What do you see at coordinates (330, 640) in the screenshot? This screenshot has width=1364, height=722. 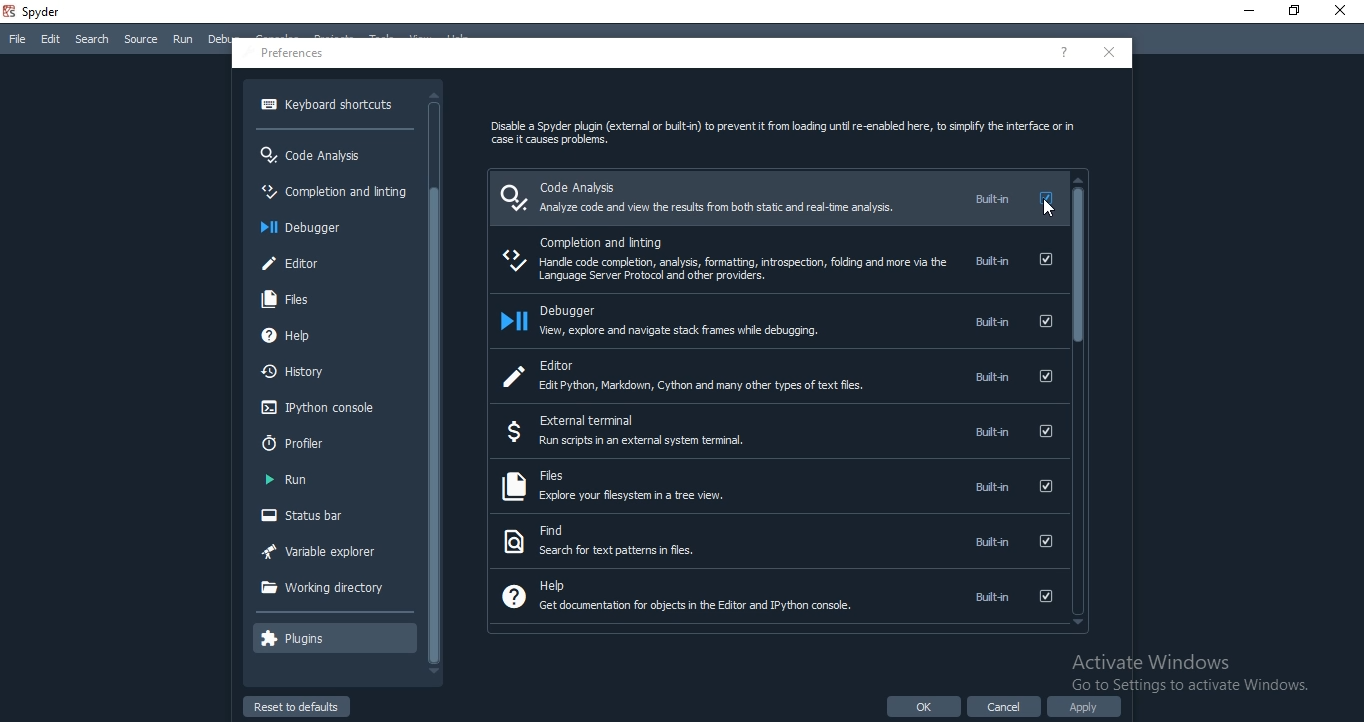 I see `plugins` at bounding box center [330, 640].